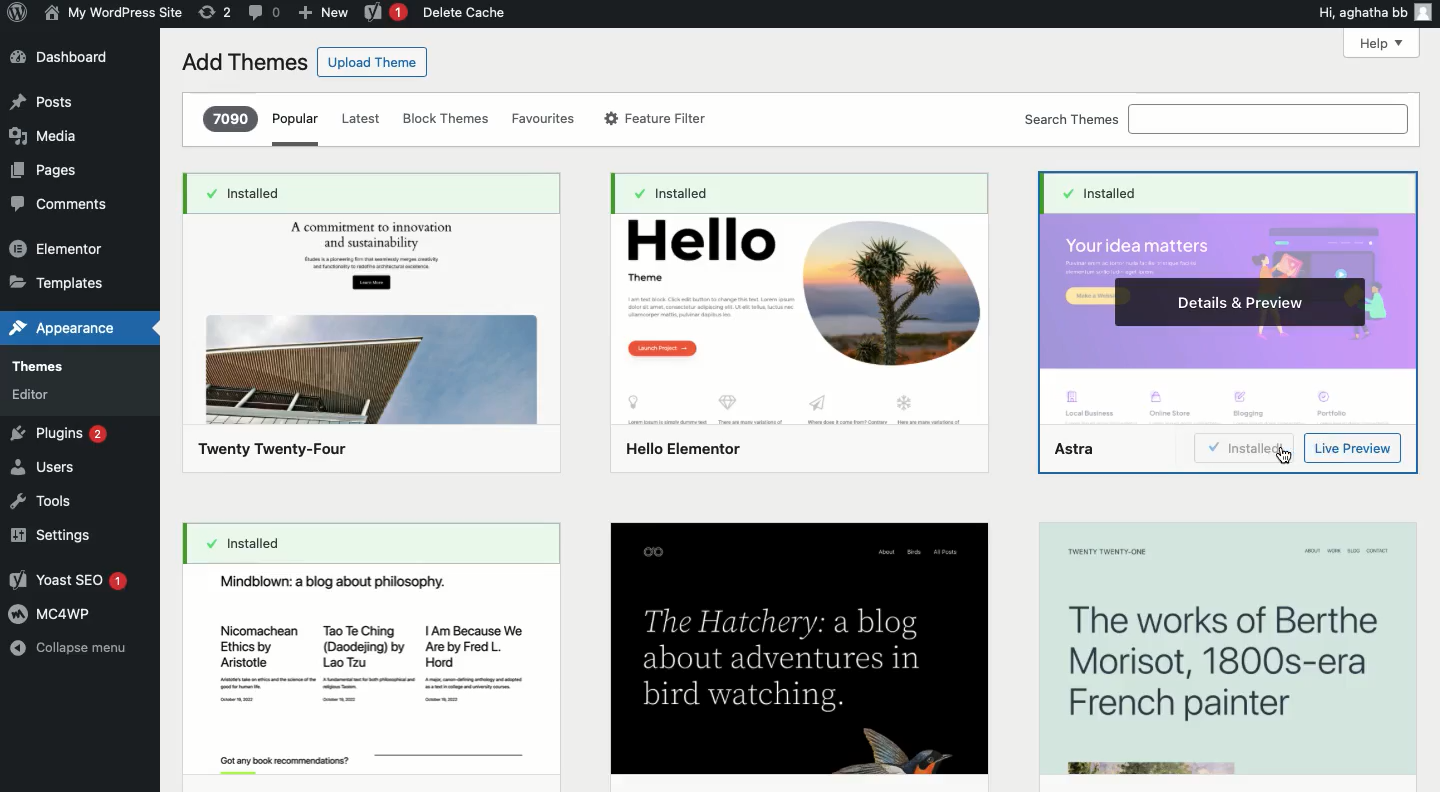 This screenshot has width=1440, height=792. Describe the element at coordinates (54, 371) in the screenshot. I see `Themes` at that location.